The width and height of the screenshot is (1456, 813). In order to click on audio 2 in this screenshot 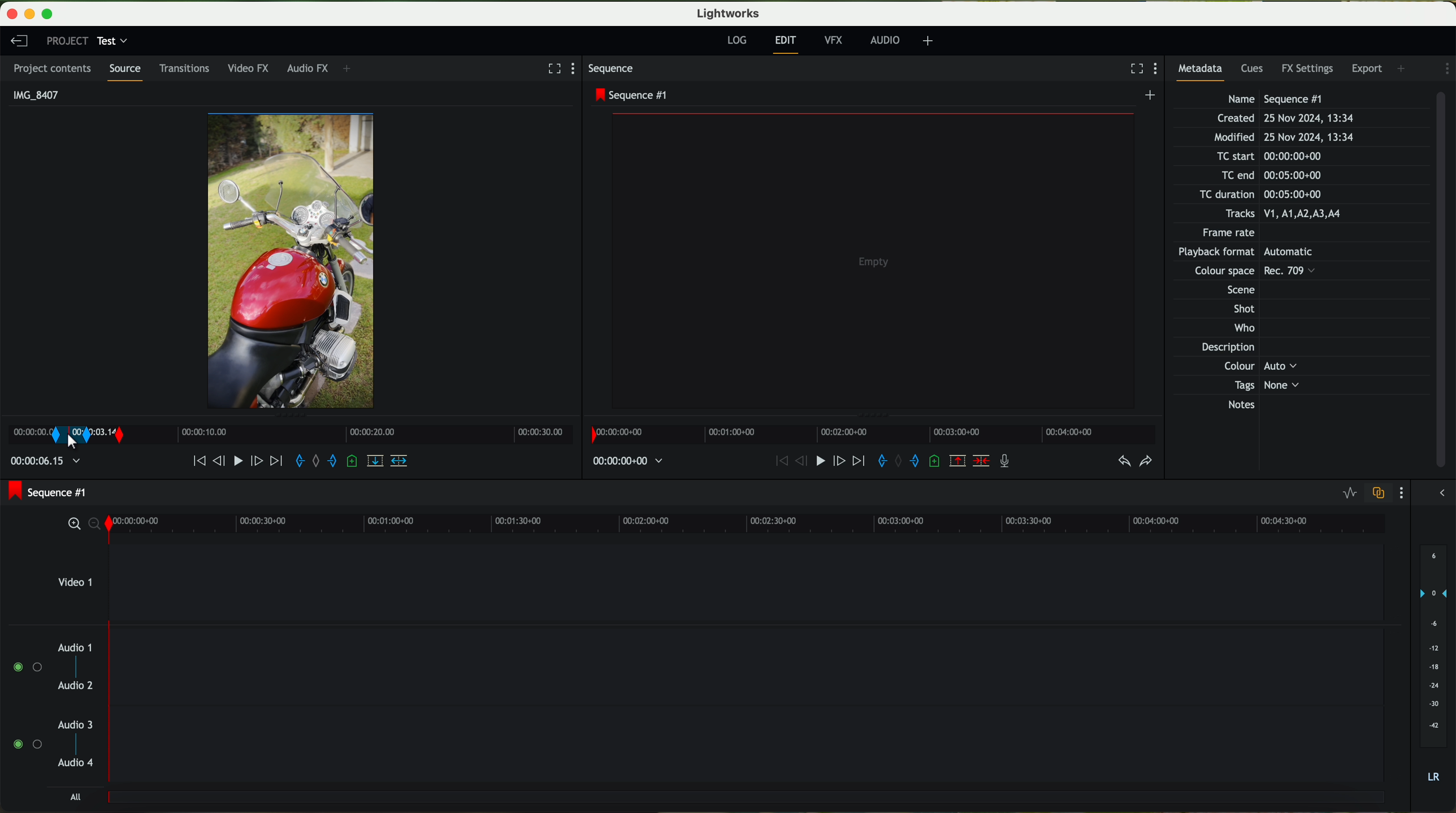, I will do `click(76, 687)`.